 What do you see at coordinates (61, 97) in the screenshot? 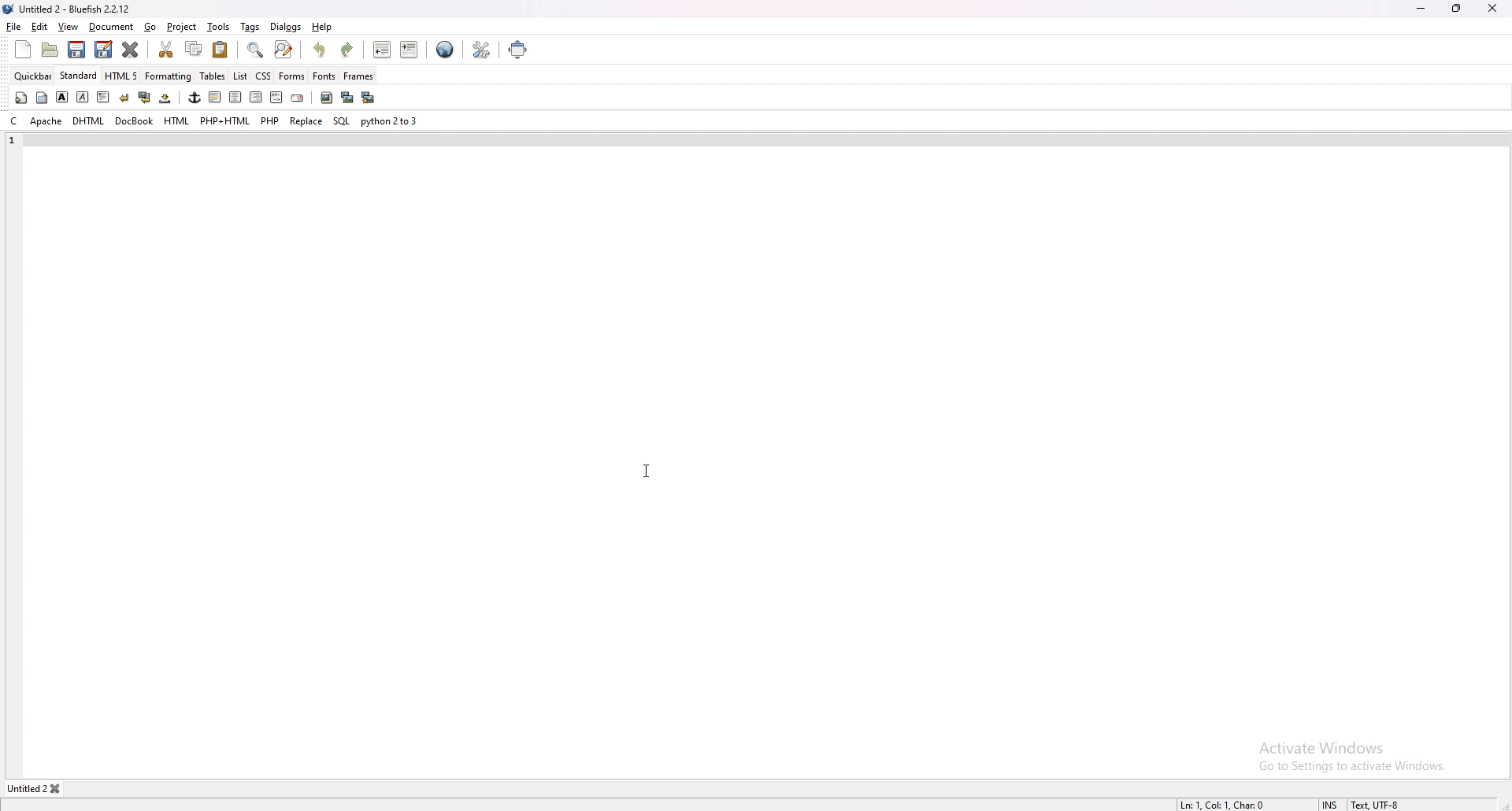
I see `bold` at bounding box center [61, 97].